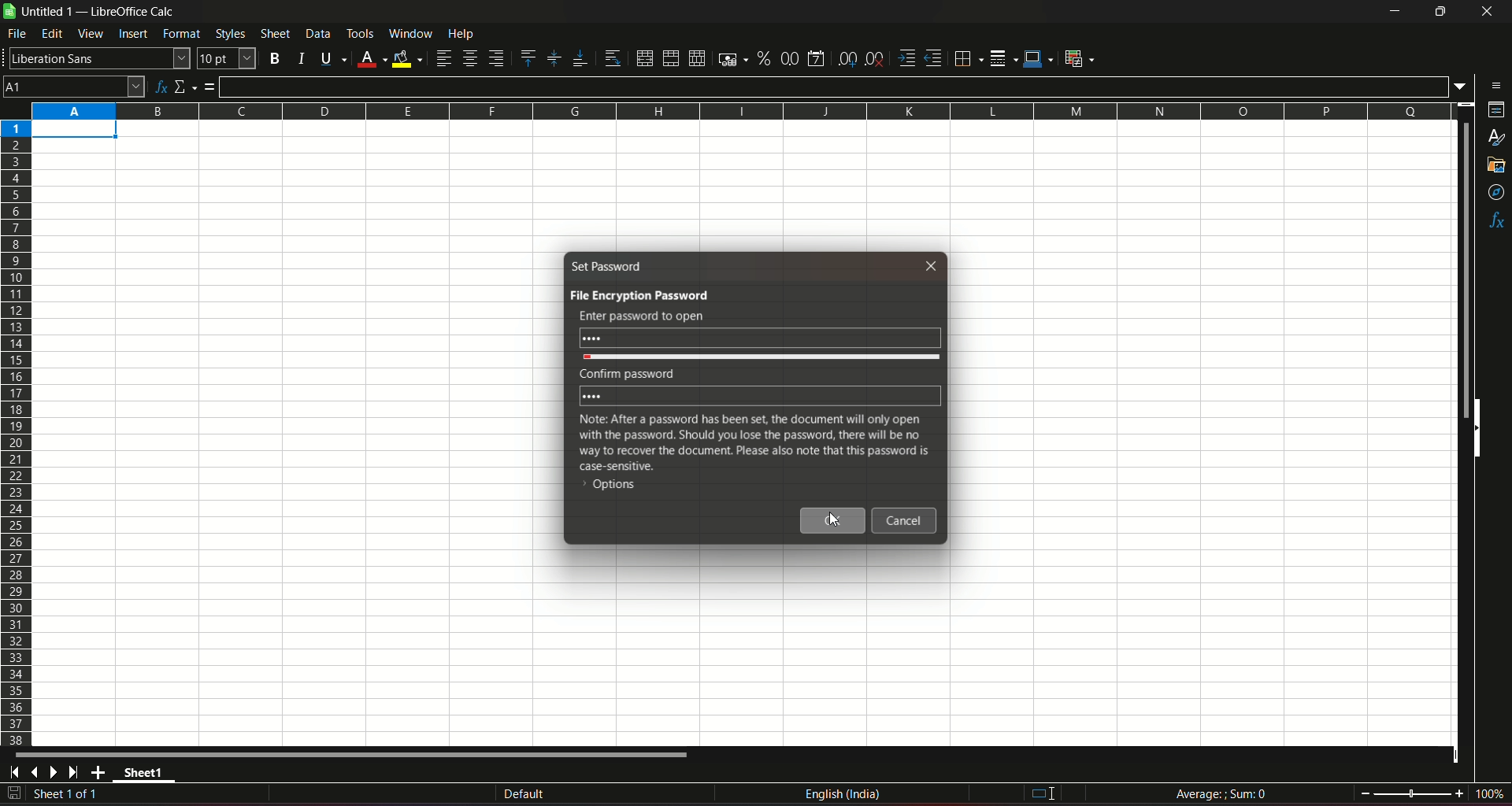 Image resolution: width=1512 pixels, height=806 pixels. I want to click on align center, so click(469, 59).